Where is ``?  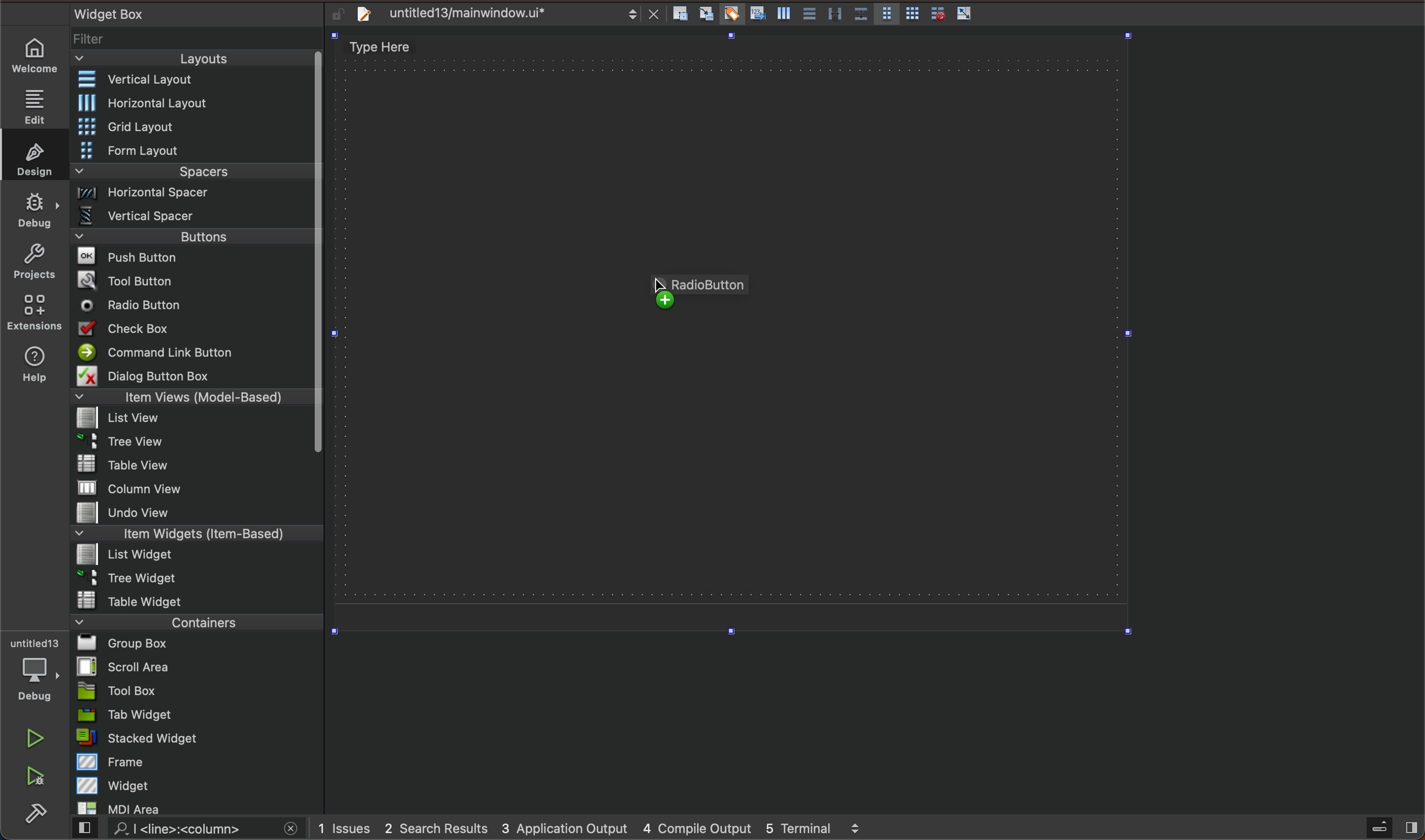
 is located at coordinates (808, 15).